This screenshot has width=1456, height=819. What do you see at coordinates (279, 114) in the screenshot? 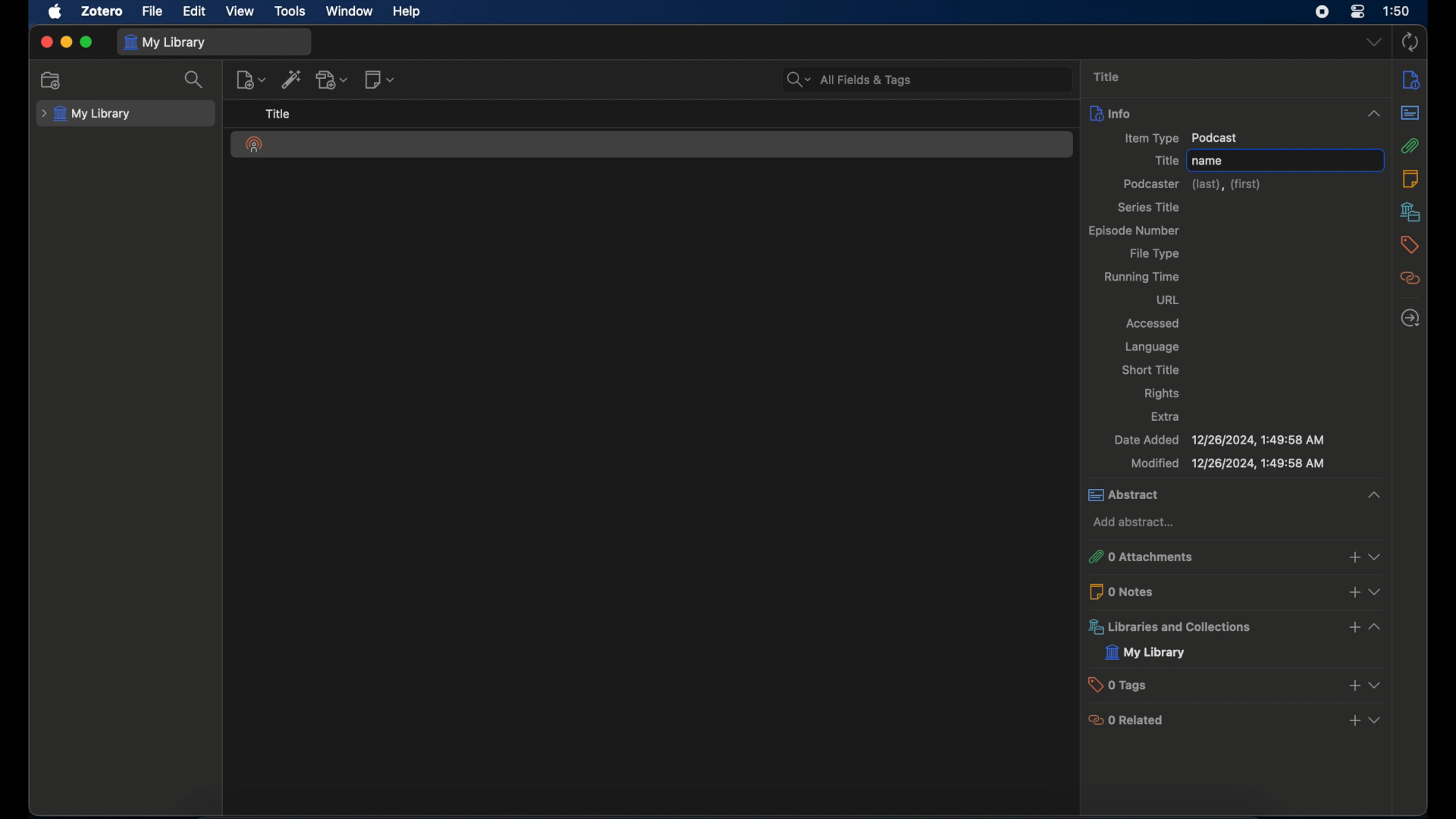
I see `title ` at bounding box center [279, 114].